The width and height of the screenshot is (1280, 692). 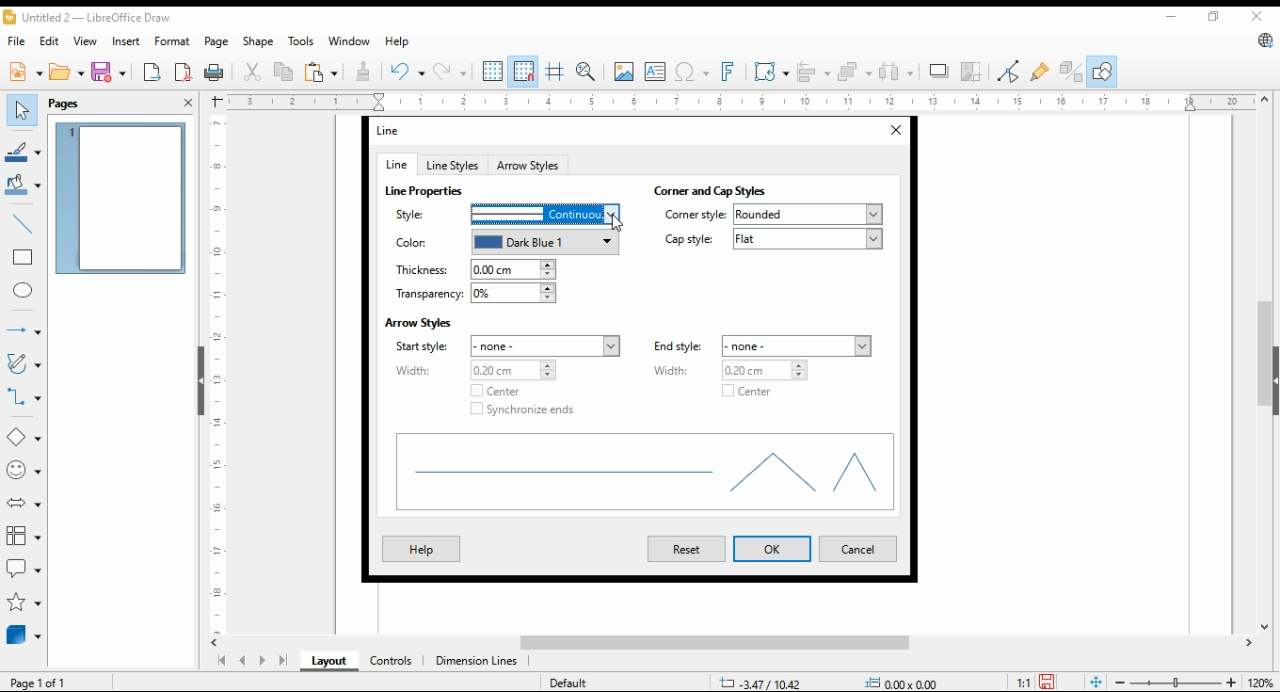 What do you see at coordinates (896, 72) in the screenshot?
I see `select at least three objects to distribute` at bounding box center [896, 72].